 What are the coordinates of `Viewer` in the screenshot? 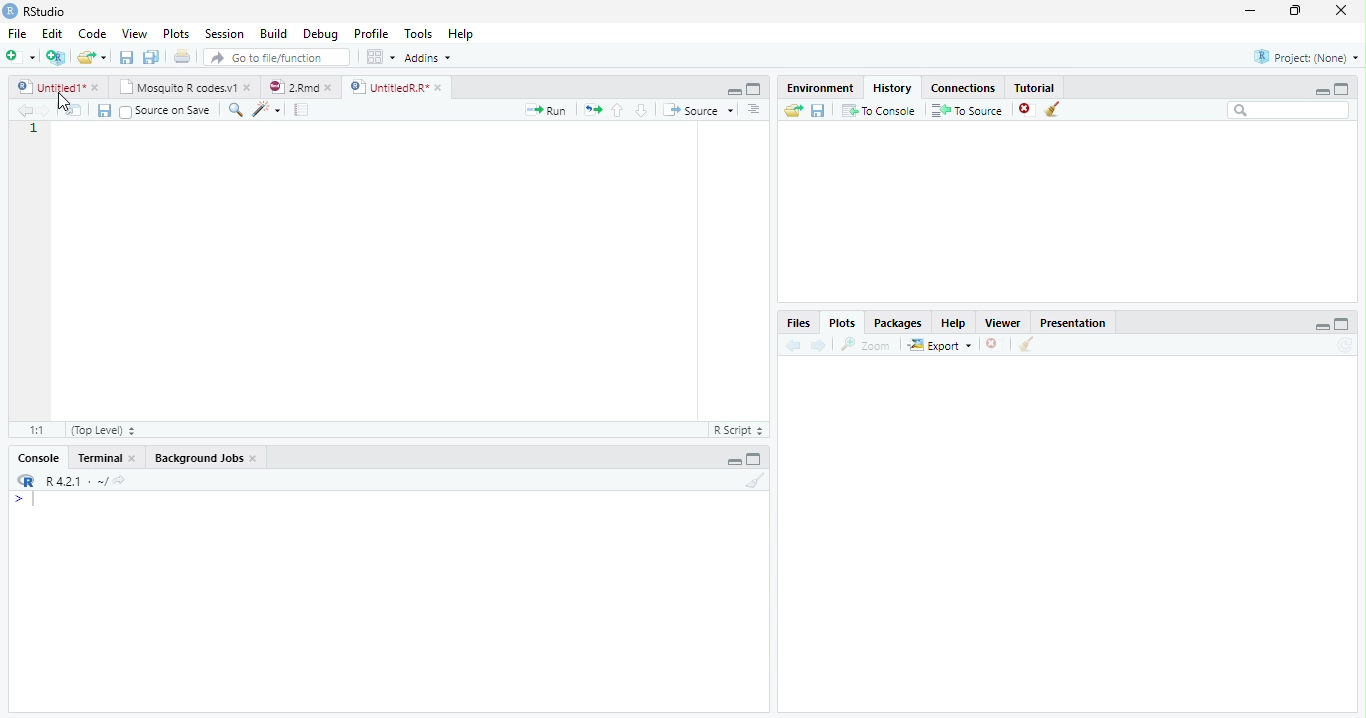 It's located at (1004, 323).